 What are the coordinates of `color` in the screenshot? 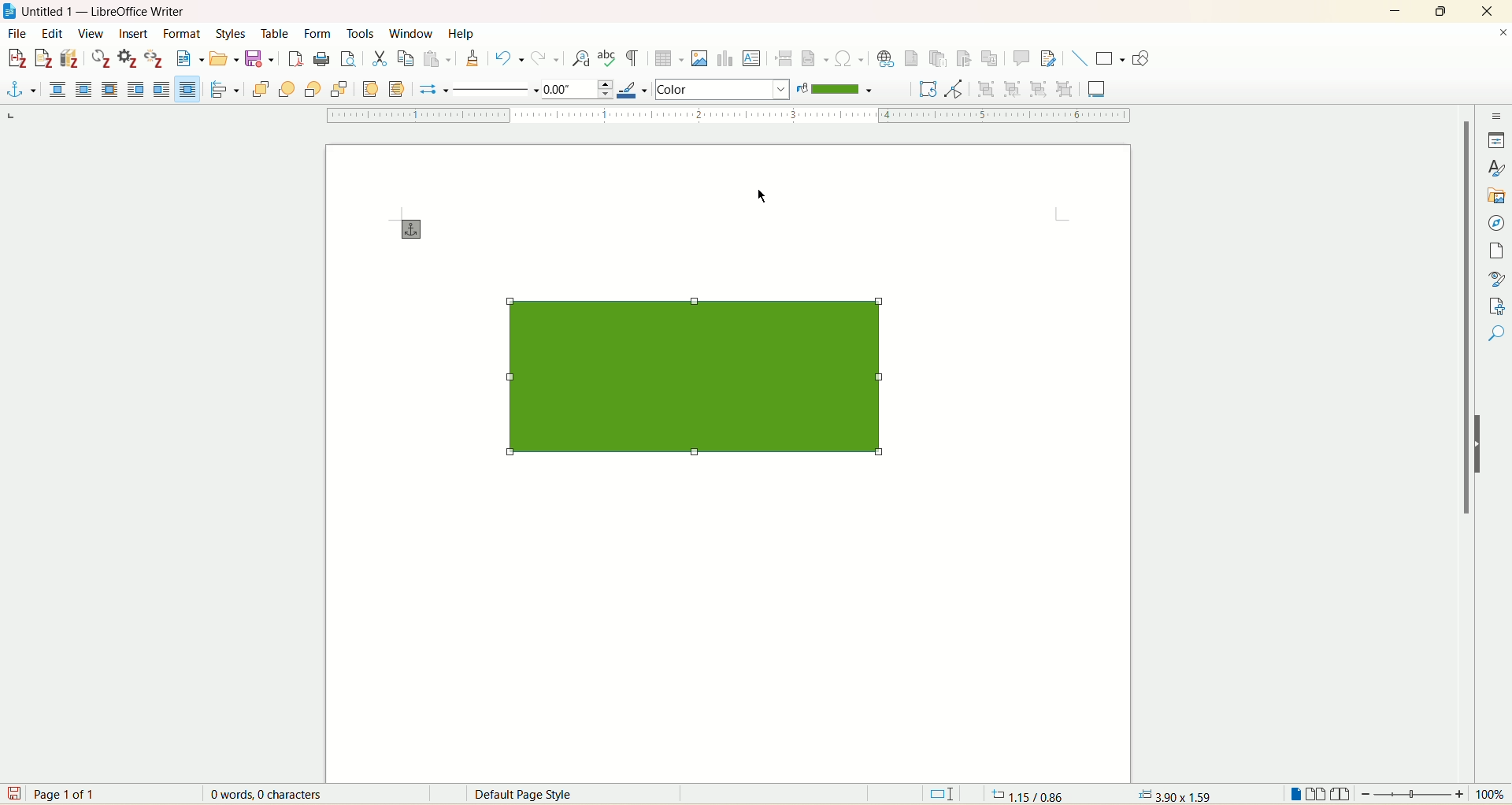 It's located at (842, 90).